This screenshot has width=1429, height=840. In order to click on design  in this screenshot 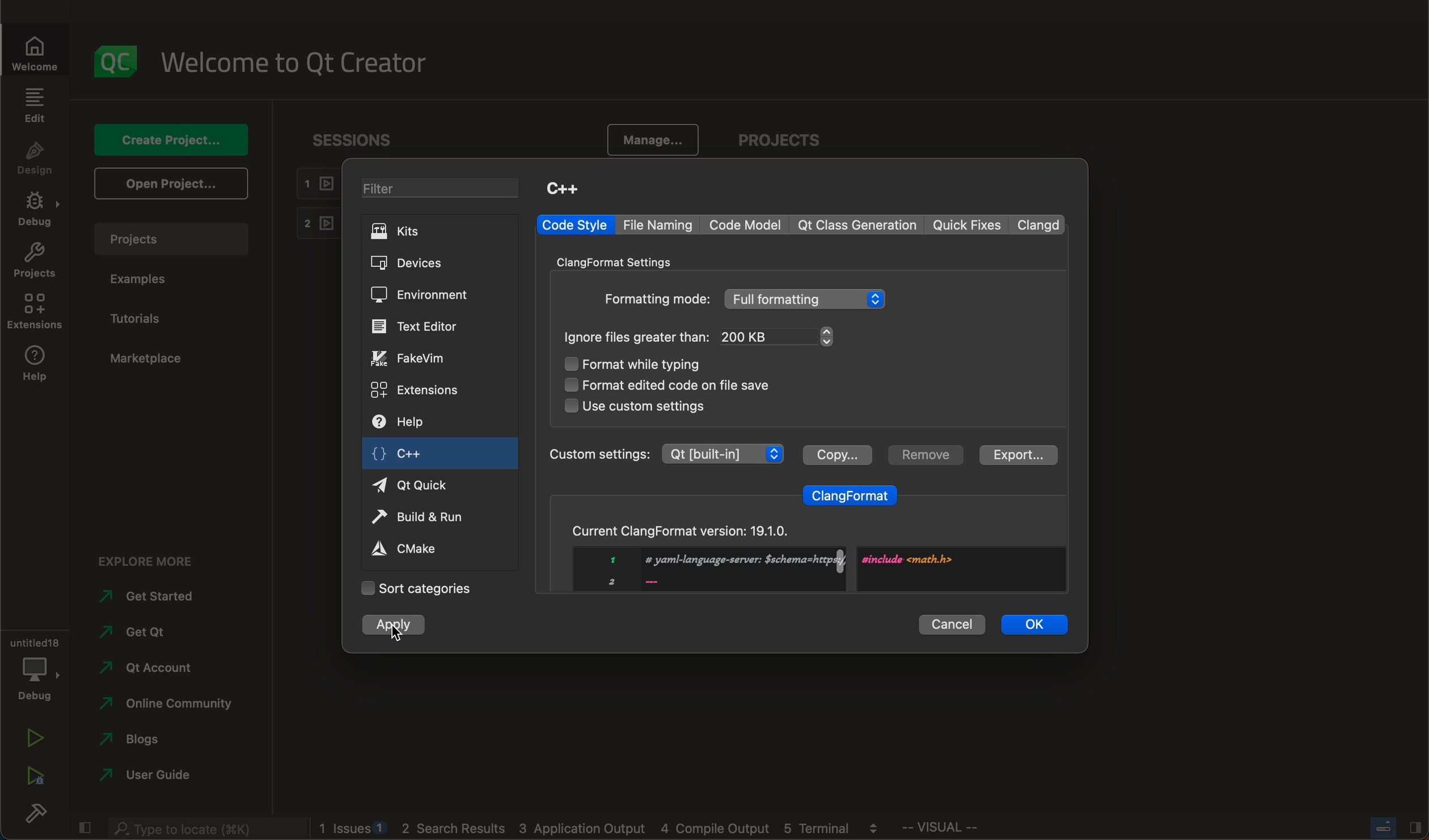, I will do `click(35, 159)`.